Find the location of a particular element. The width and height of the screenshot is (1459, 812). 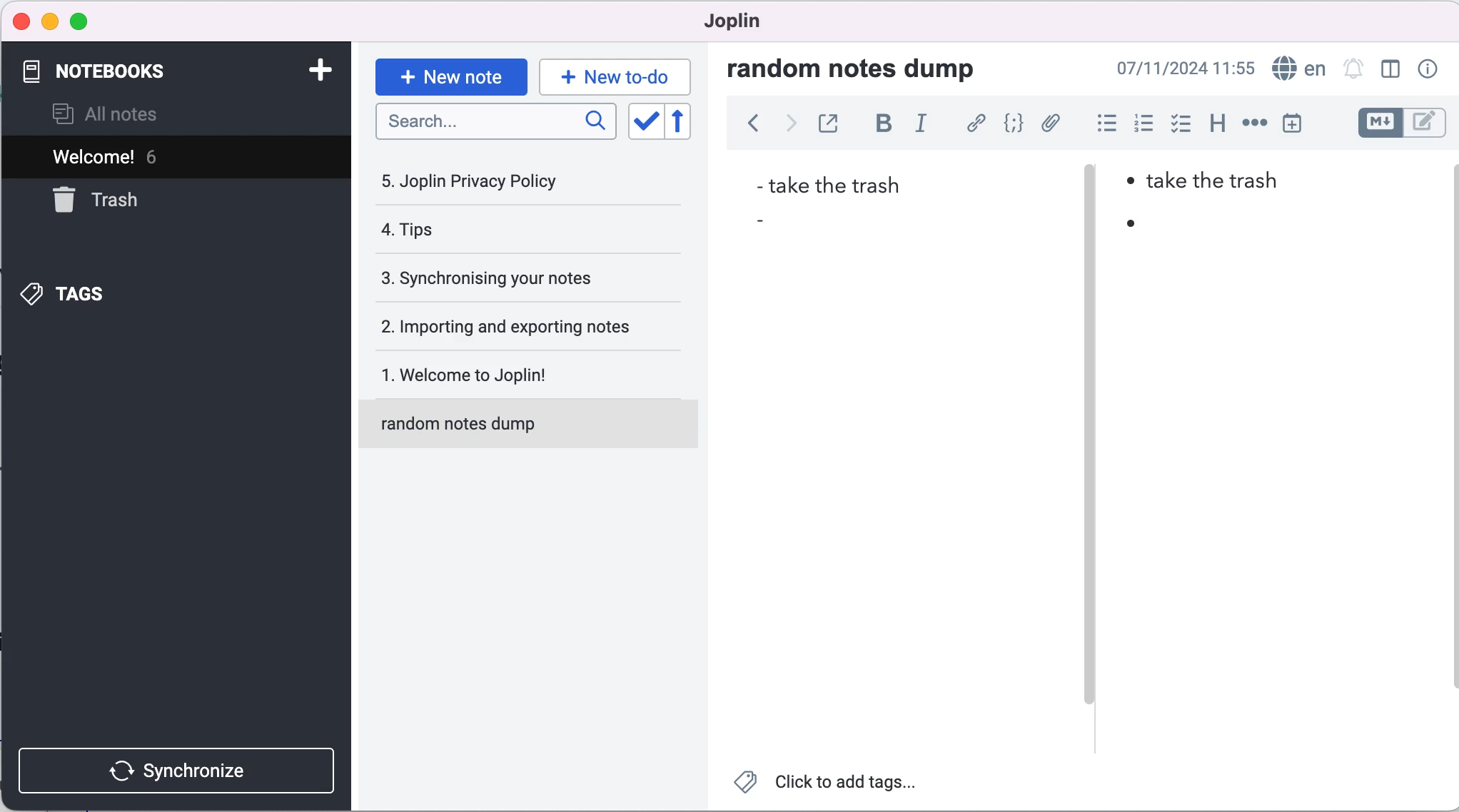

all notes is located at coordinates (128, 113).